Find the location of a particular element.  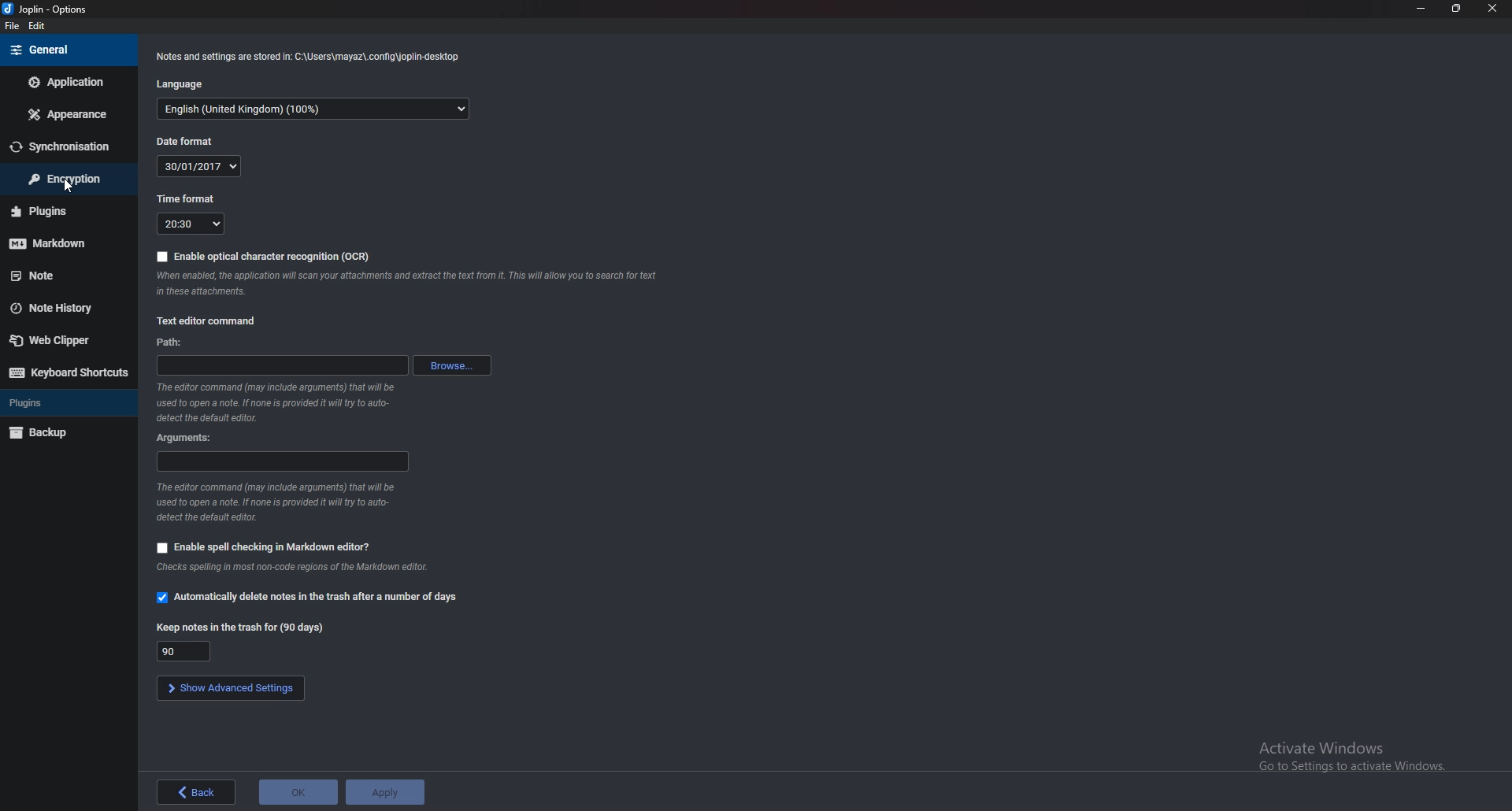

options is located at coordinates (49, 8).